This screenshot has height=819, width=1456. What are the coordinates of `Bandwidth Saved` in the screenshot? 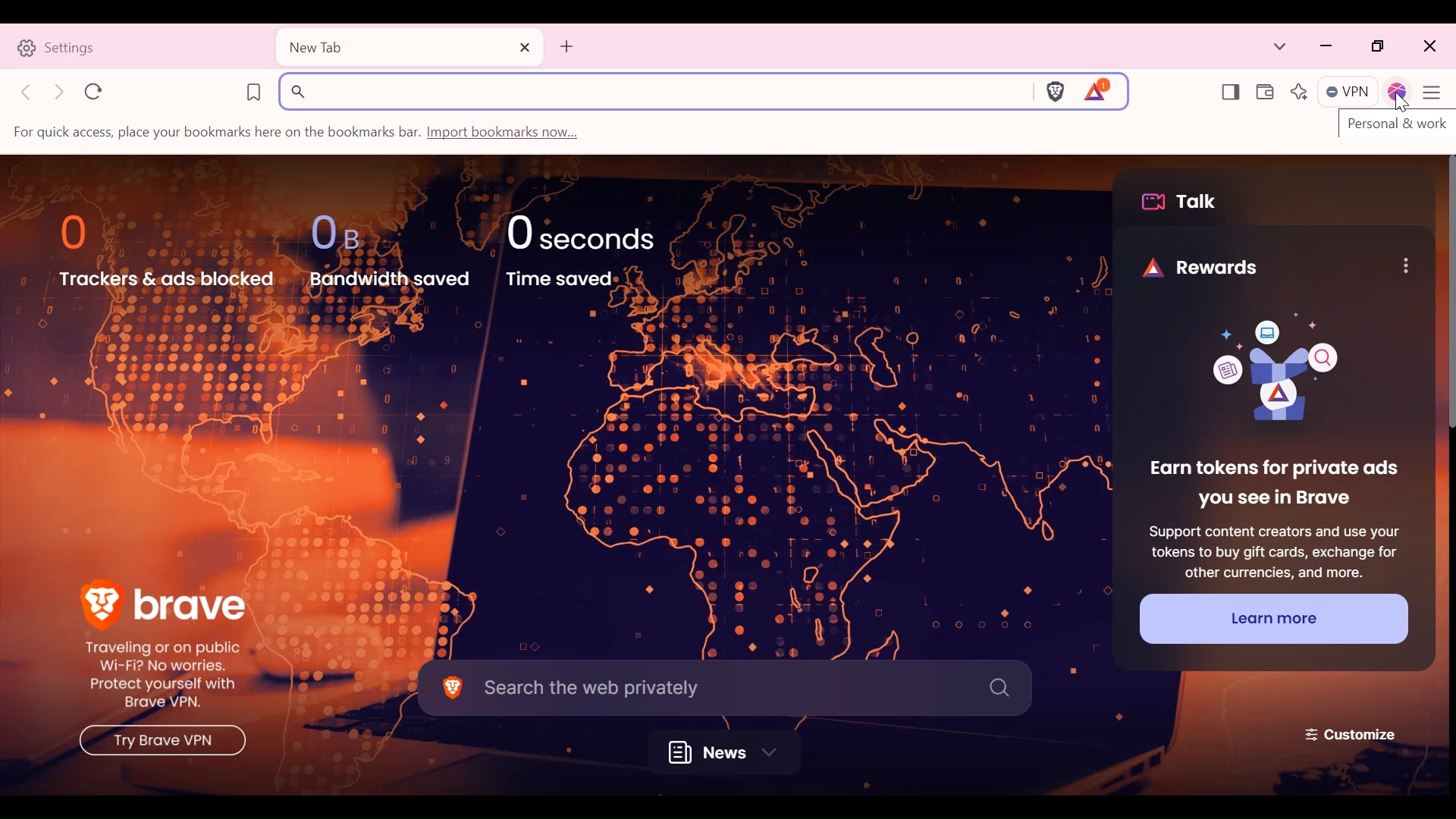 It's located at (388, 248).